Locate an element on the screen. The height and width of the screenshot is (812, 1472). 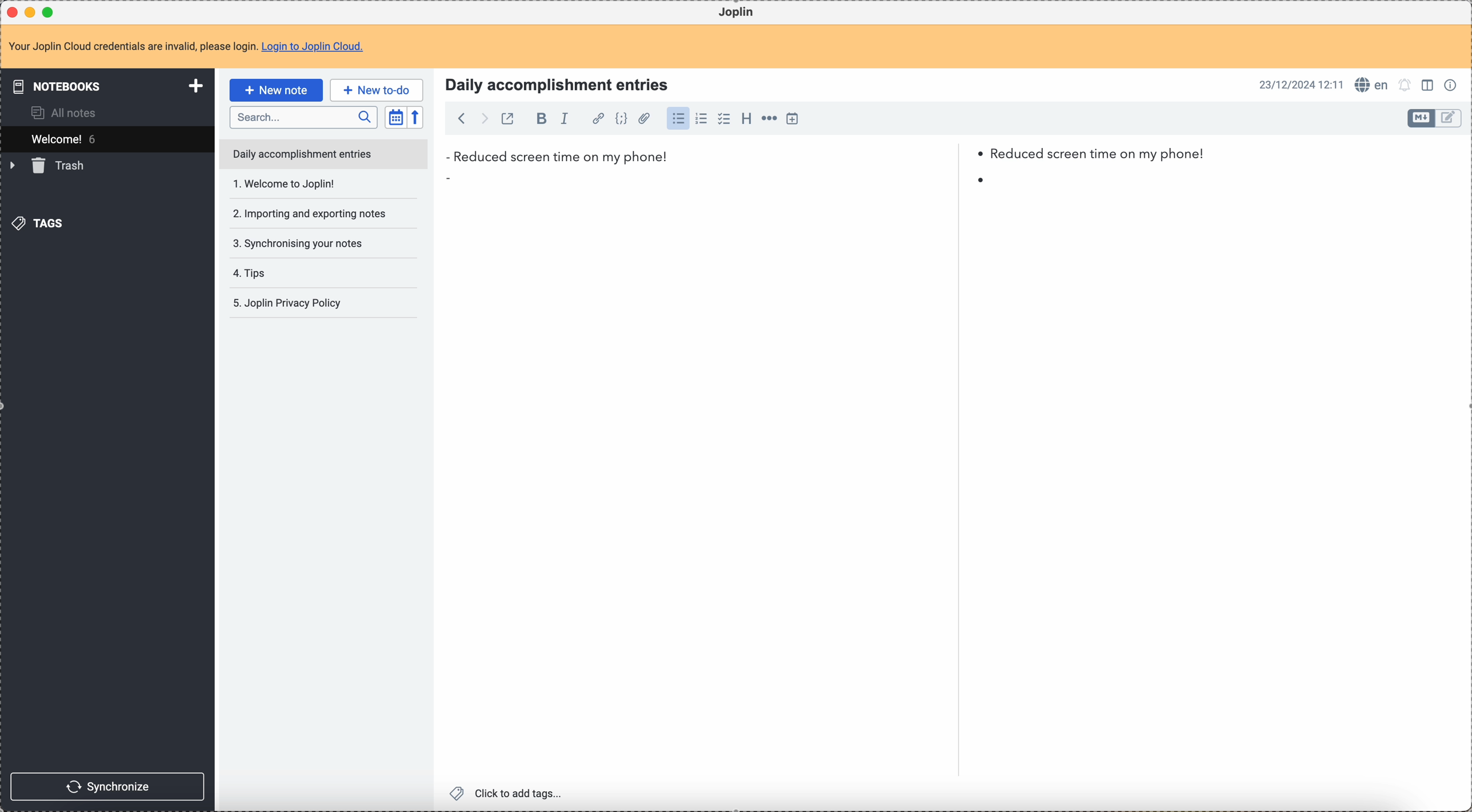
daily accomplishment entries is located at coordinates (301, 153).